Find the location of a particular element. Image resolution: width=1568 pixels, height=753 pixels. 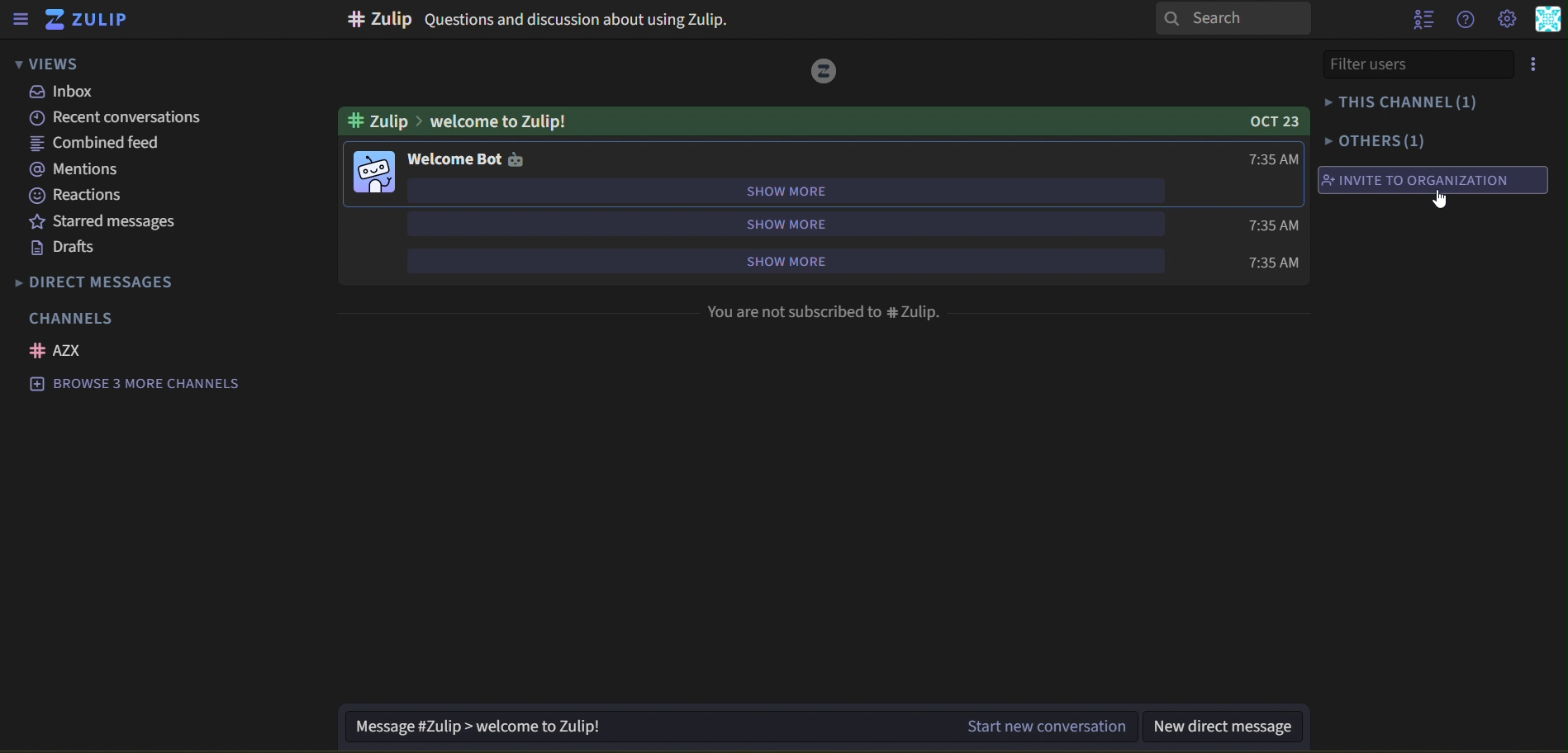

drafts is located at coordinates (64, 248).